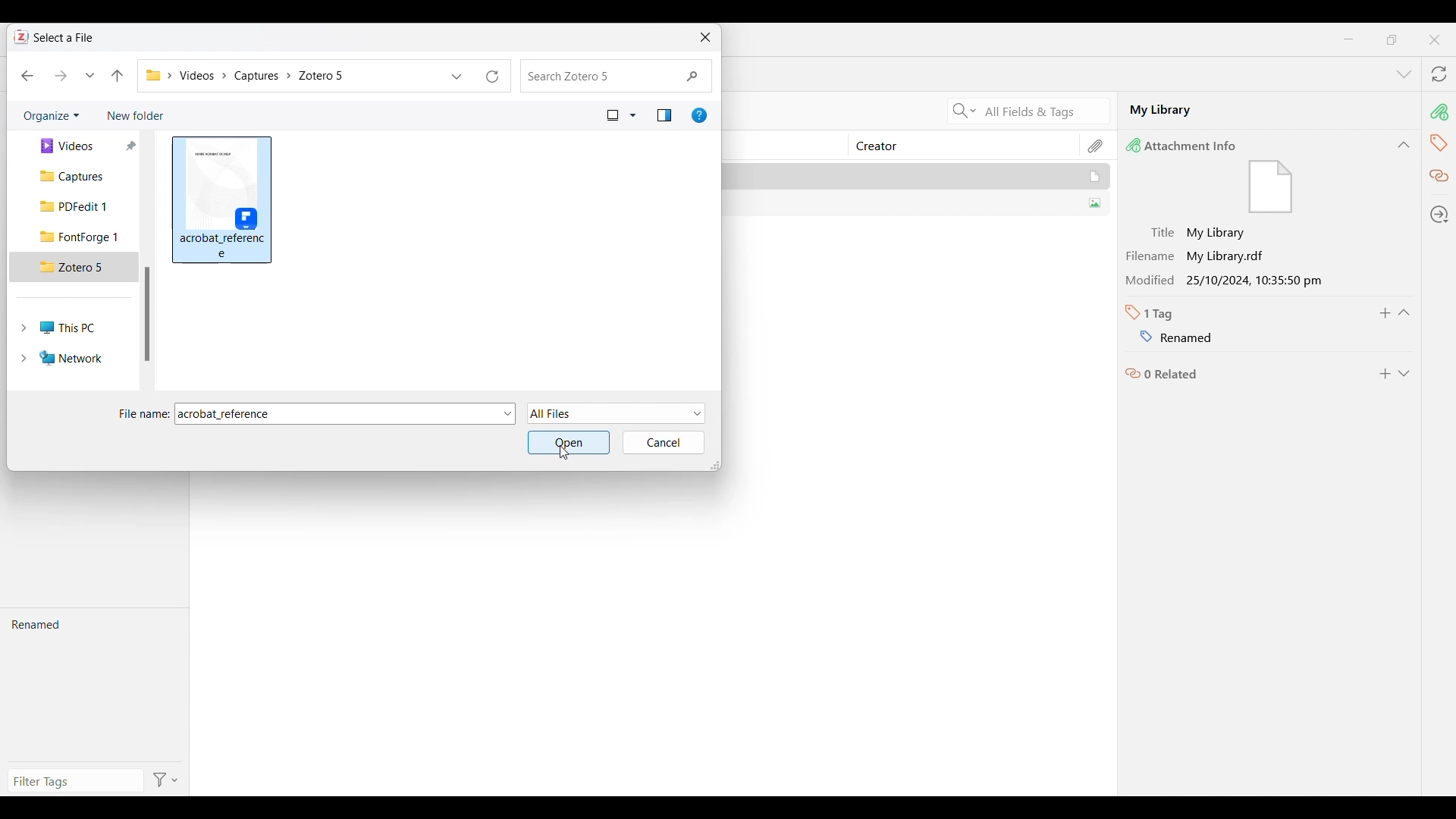  What do you see at coordinates (89, 75) in the screenshot?
I see `Recent locations` at bounding box center [89, 75].